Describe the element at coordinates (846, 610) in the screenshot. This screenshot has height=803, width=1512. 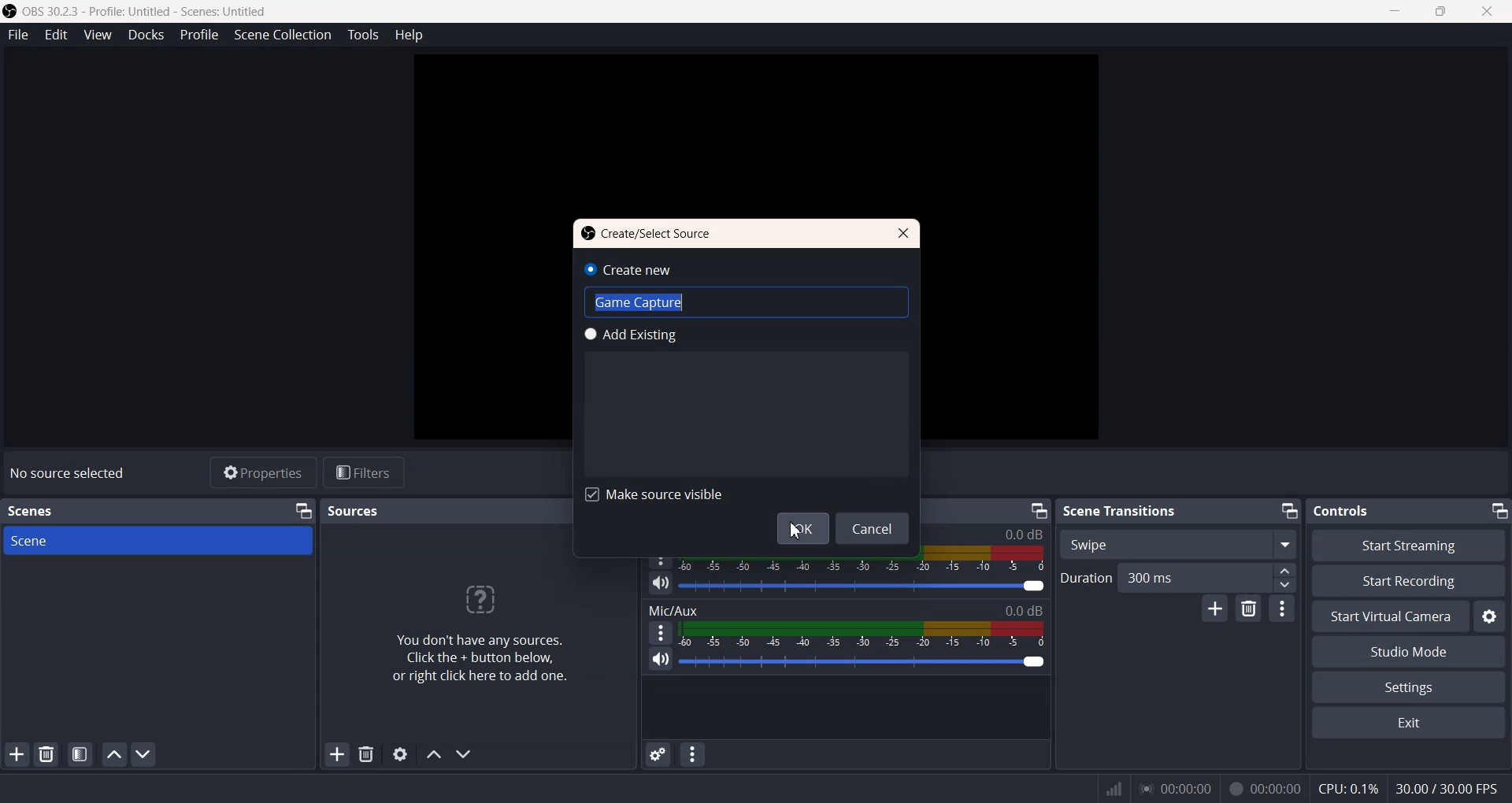
I see `Text` at that location.